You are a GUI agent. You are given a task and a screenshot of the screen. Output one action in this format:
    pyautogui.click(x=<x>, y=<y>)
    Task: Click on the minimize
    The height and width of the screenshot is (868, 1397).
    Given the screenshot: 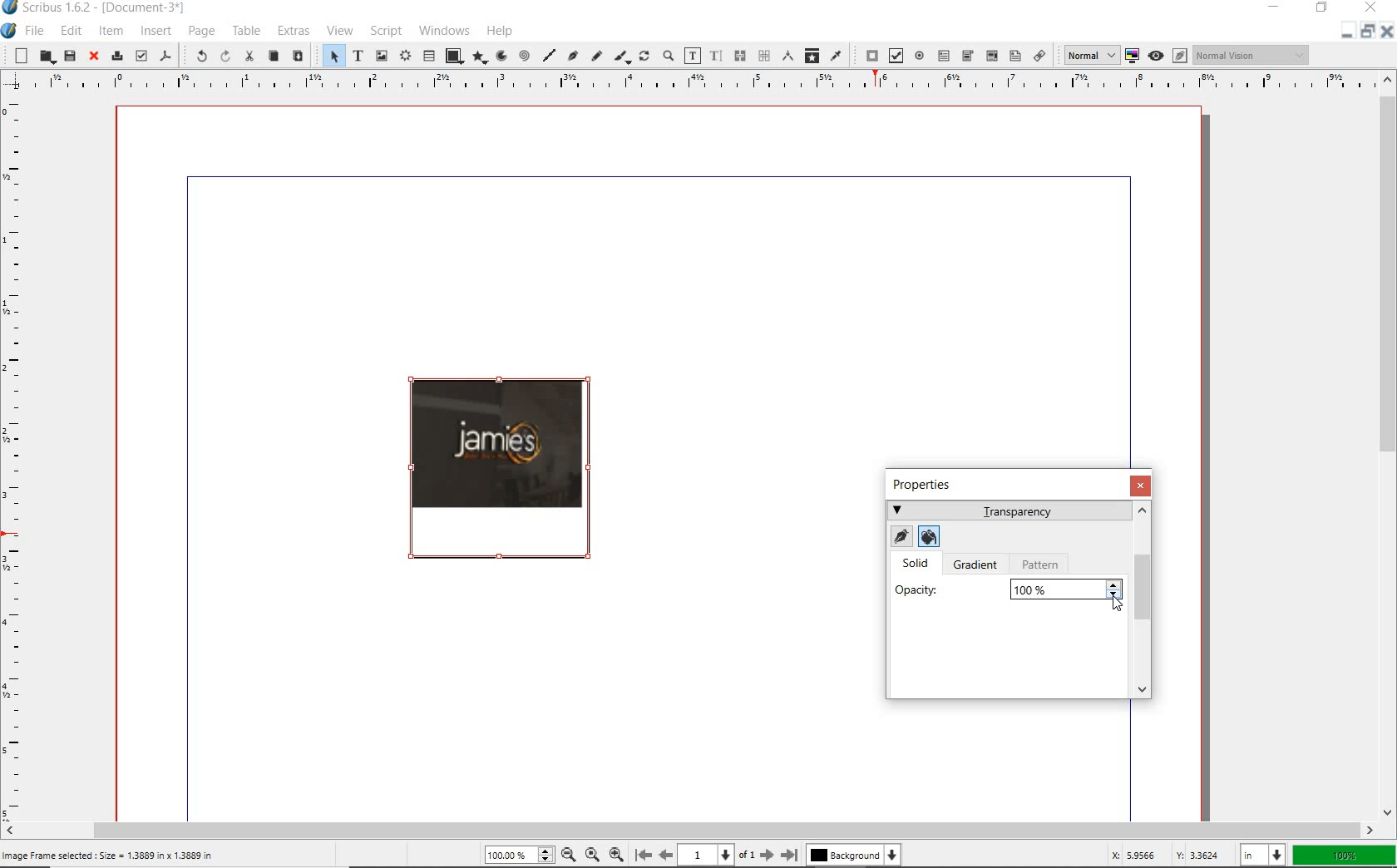 What is the action you would take?
    pyautogui.click(x=1343, y=33)
    